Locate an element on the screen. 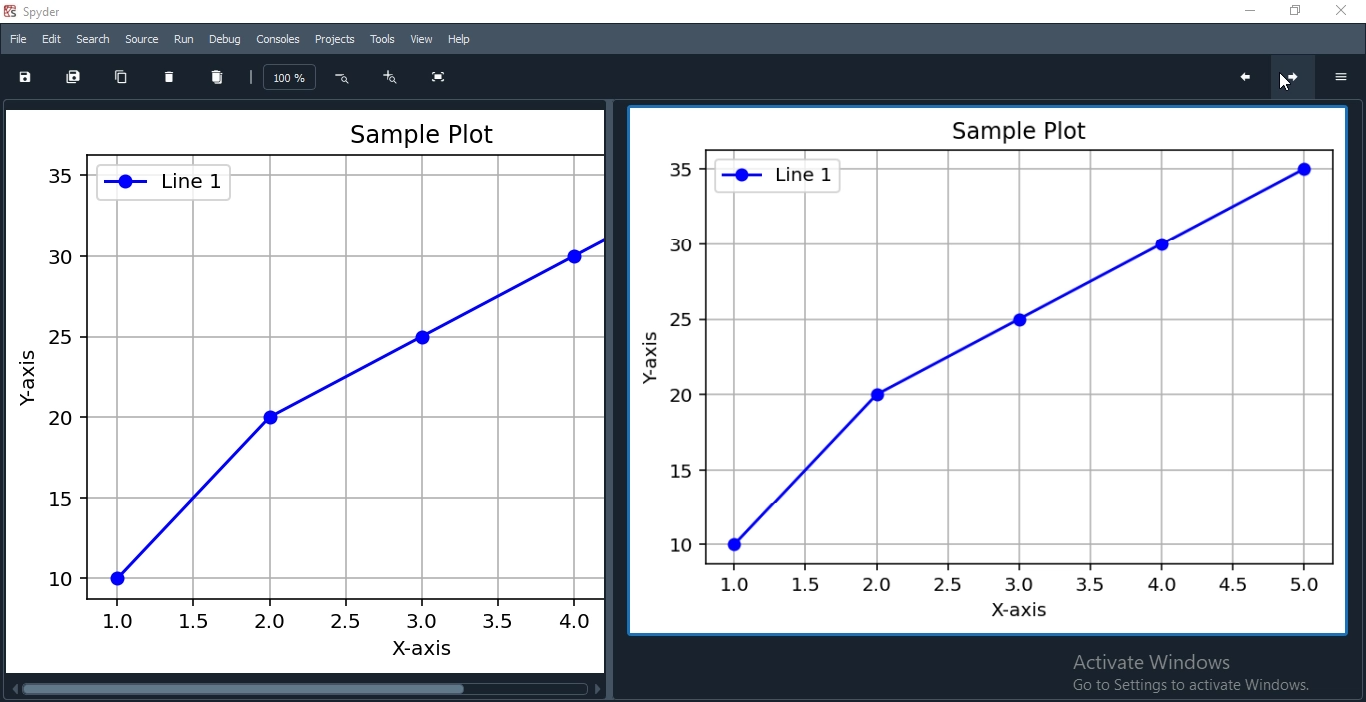 The width and height of the screenshot is (1366, 702). Search is located at coordinates (92, 39).